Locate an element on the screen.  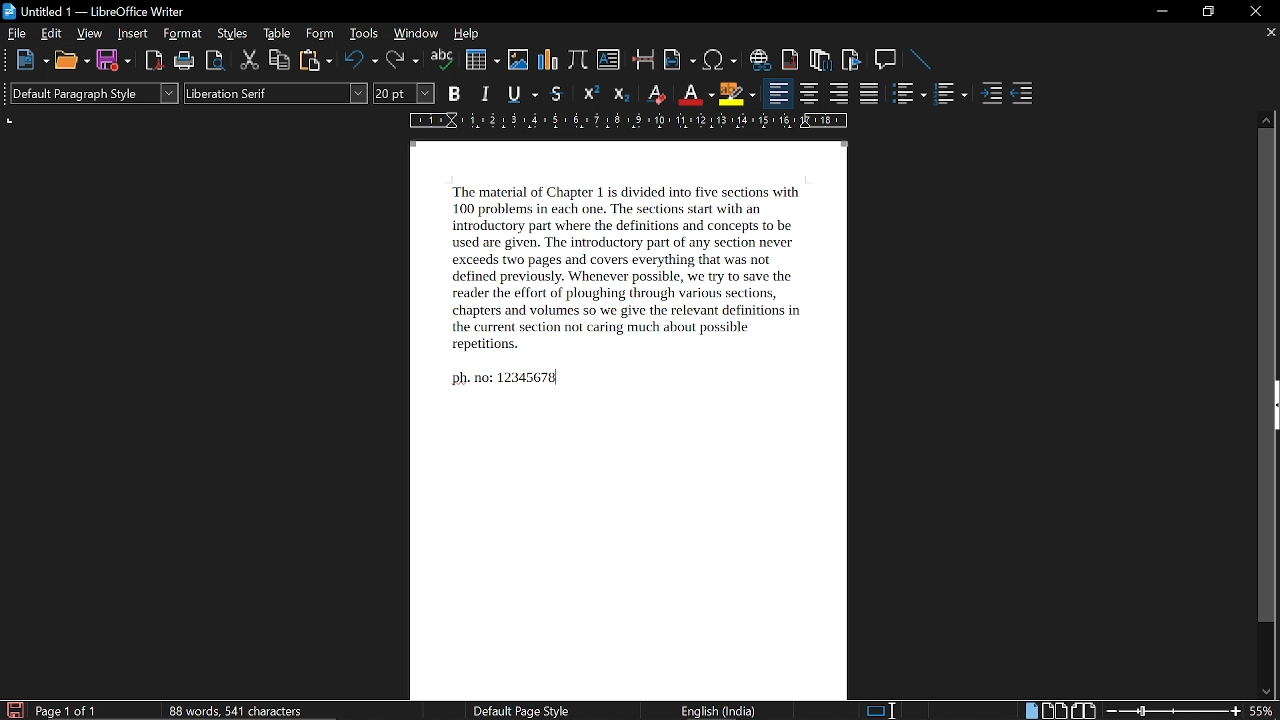
new is located at coordinates (33, 60).